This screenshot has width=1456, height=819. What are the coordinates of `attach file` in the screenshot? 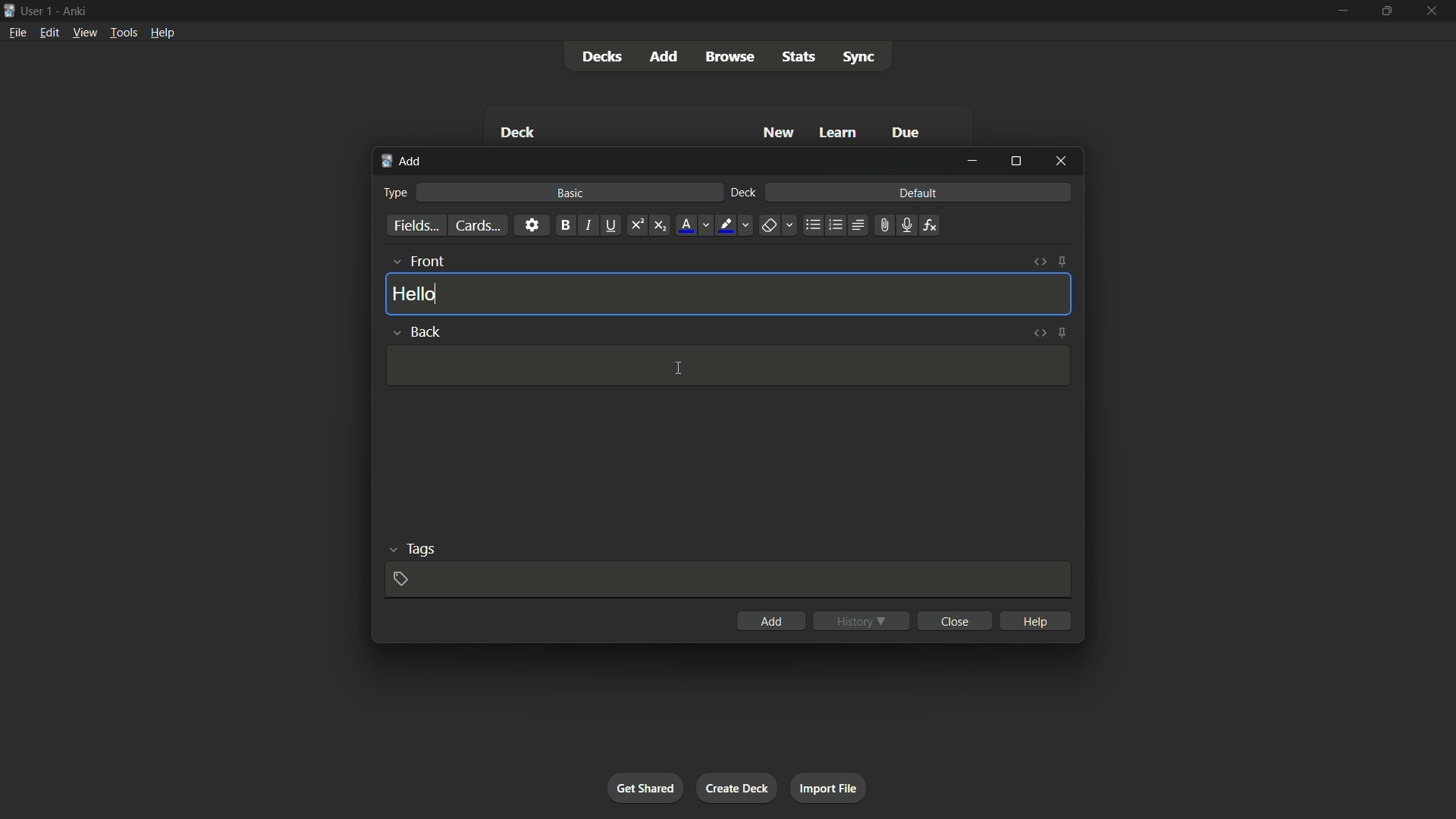 It's located at (884, 226).